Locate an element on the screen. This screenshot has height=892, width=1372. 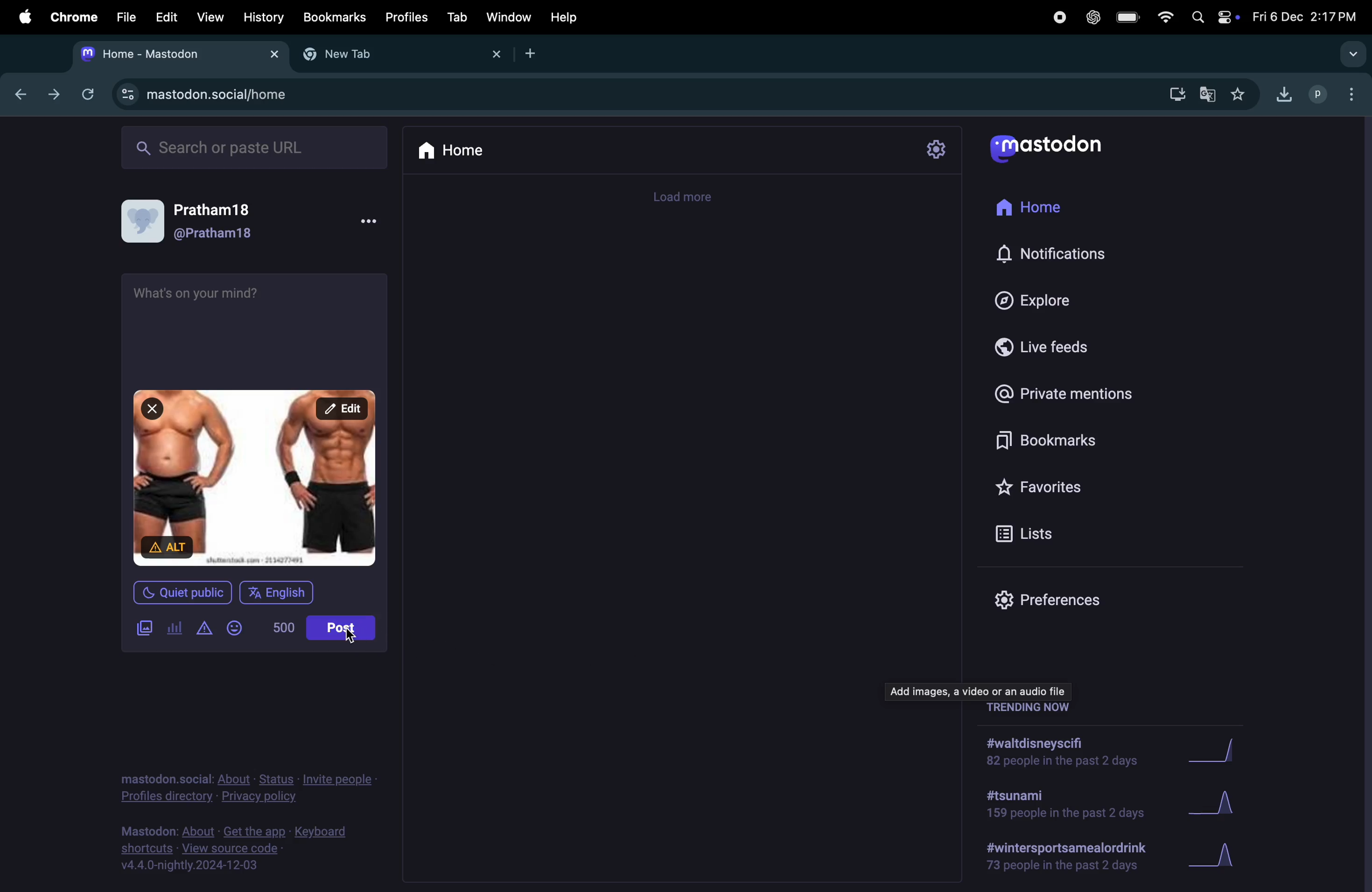
explore is located at coordinates (1043, 300).